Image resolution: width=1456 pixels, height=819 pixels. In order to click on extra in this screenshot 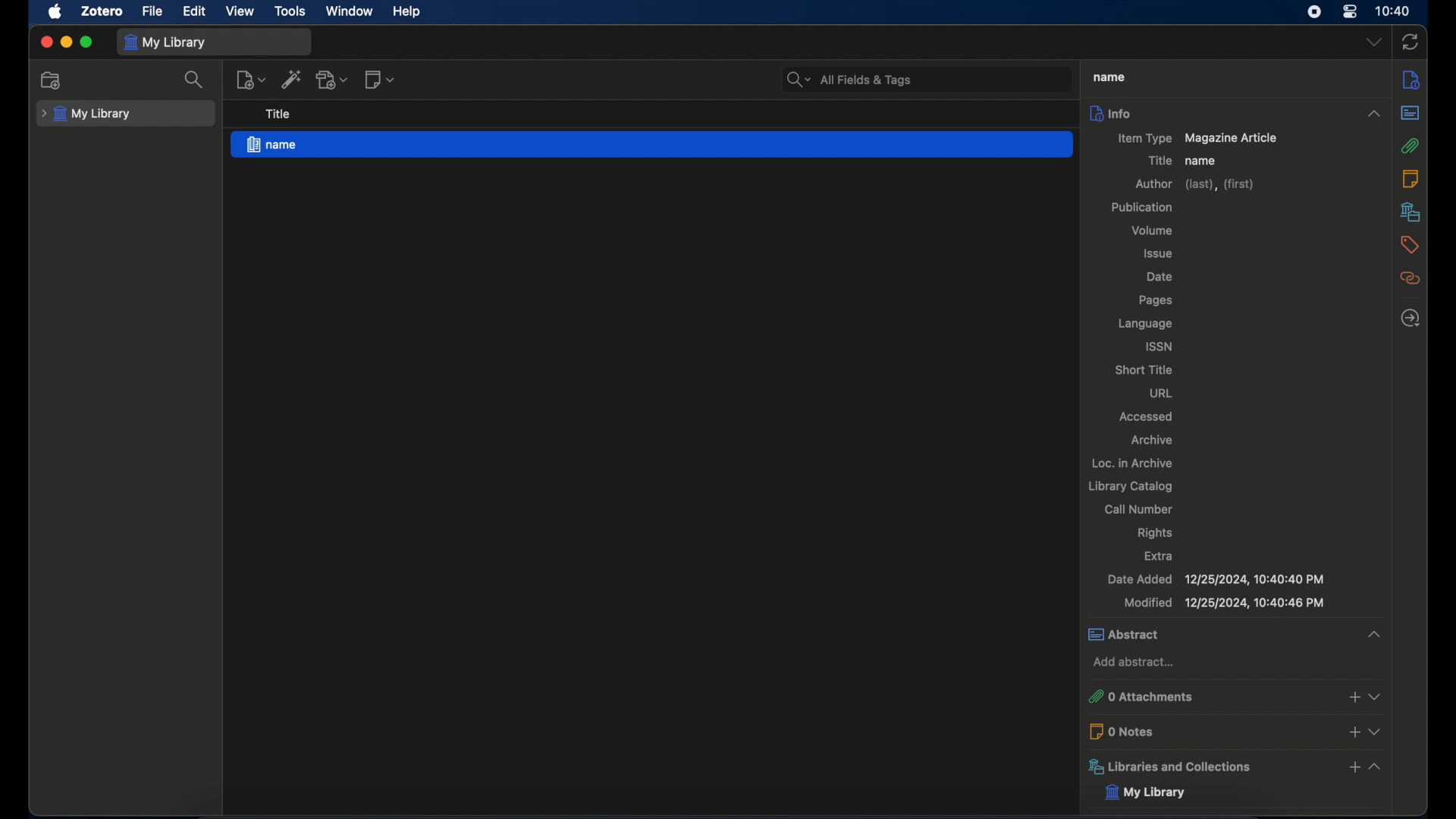, I will do `click(1159, 556)`.